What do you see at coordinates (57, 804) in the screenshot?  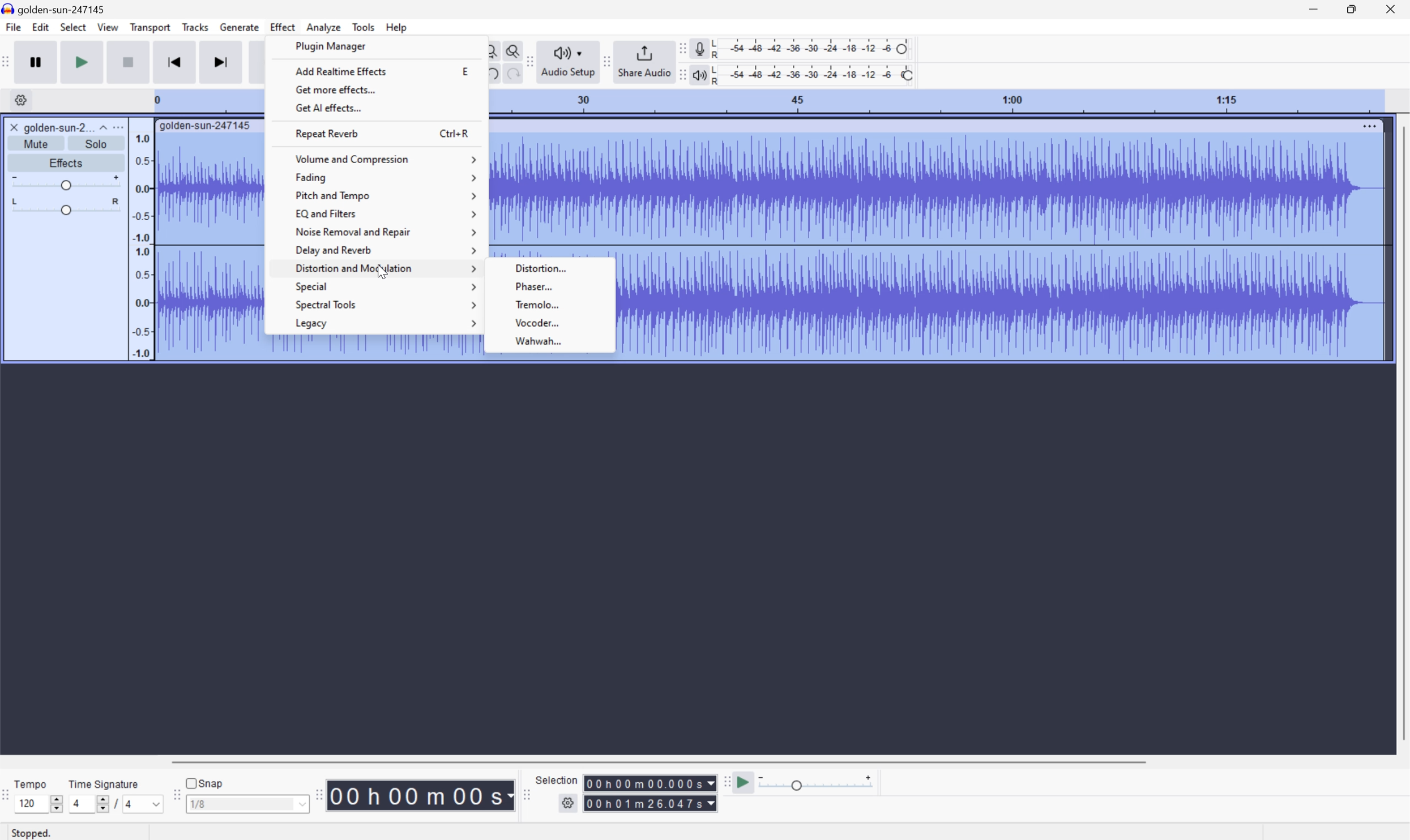 I see `Slider` at bounding box center [57, 804].